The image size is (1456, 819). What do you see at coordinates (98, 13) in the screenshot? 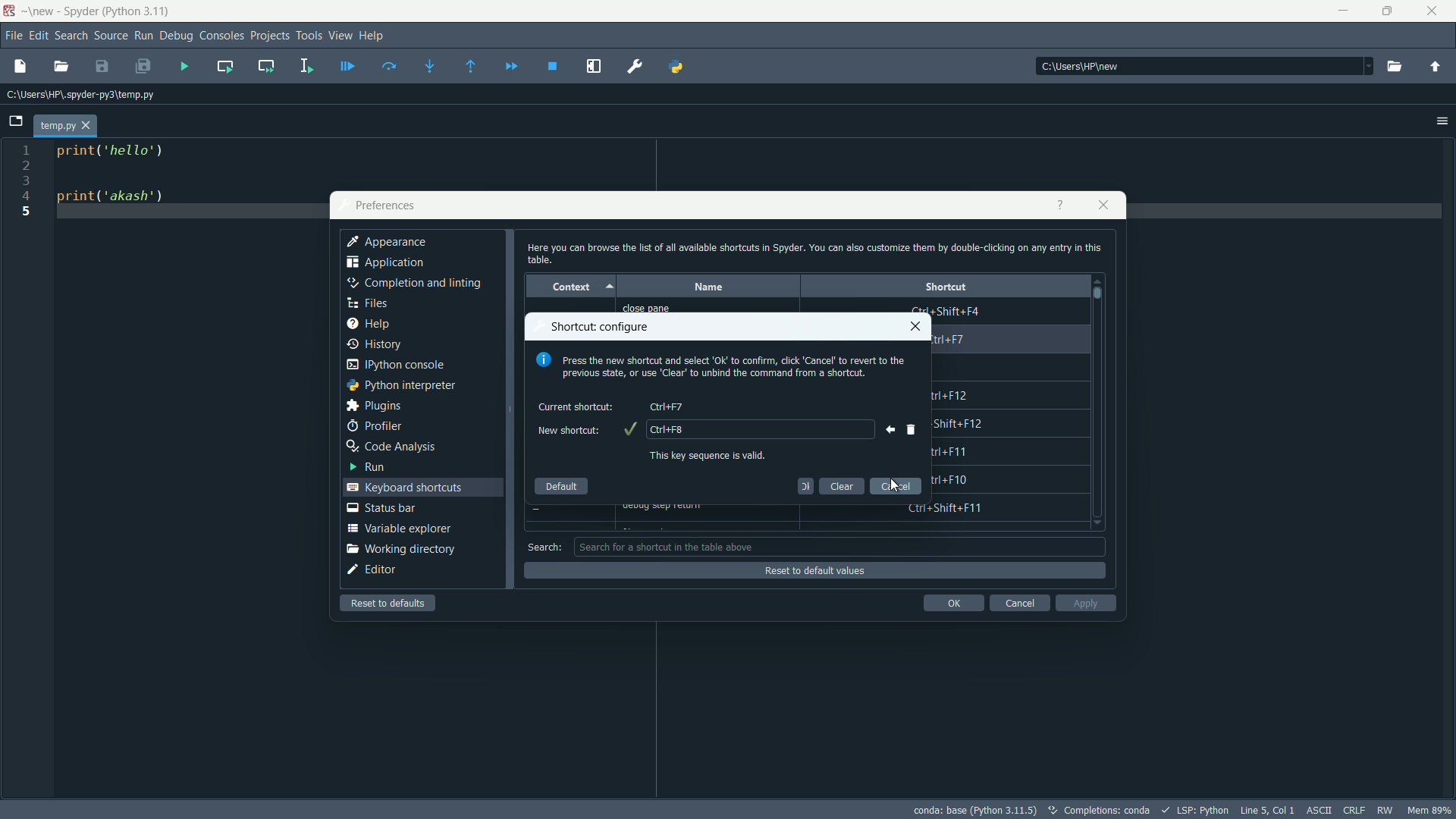
I see `app name` at bounding box center [98, 13].